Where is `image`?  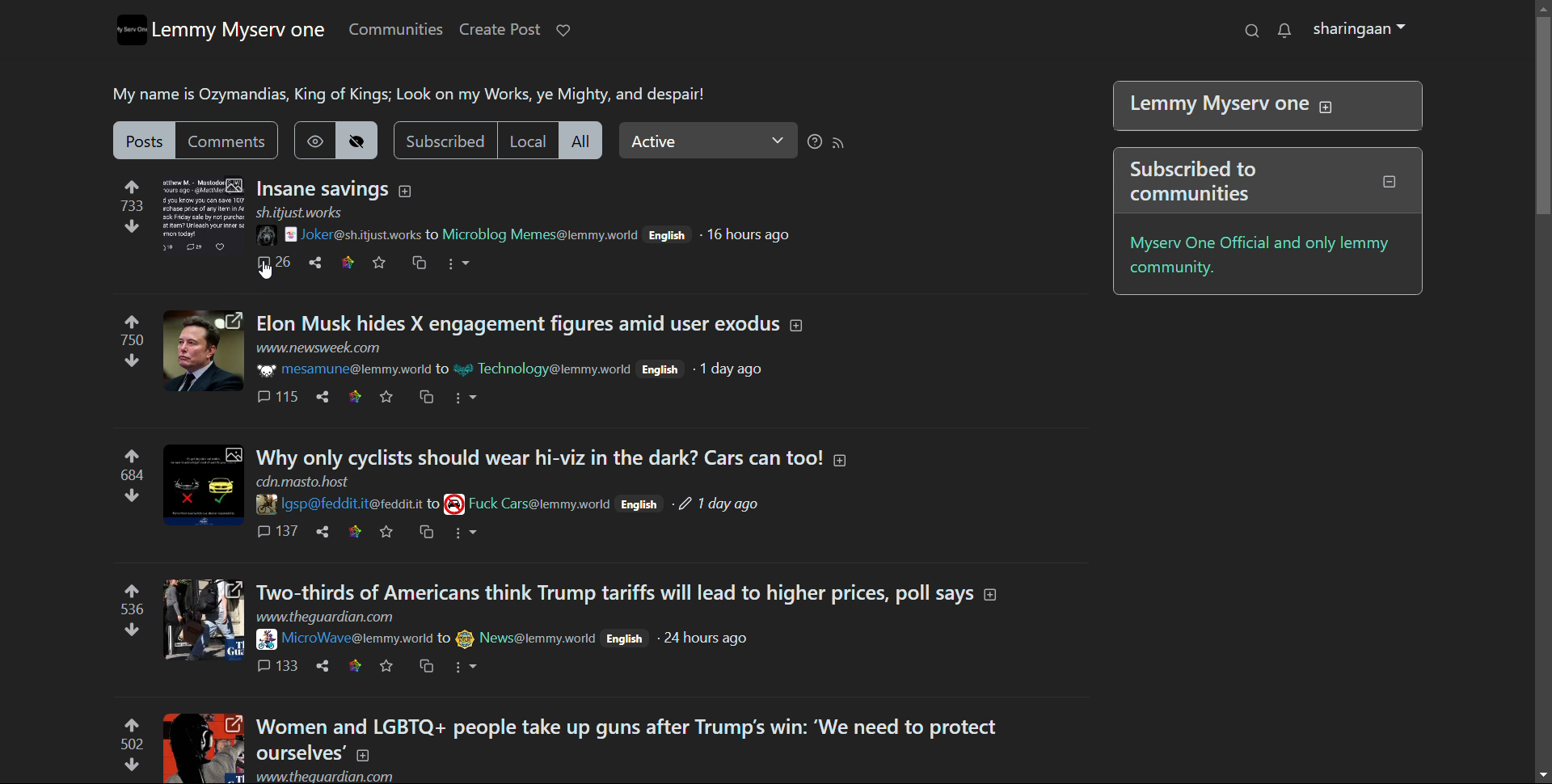
image is located at coordinates (263, 504).